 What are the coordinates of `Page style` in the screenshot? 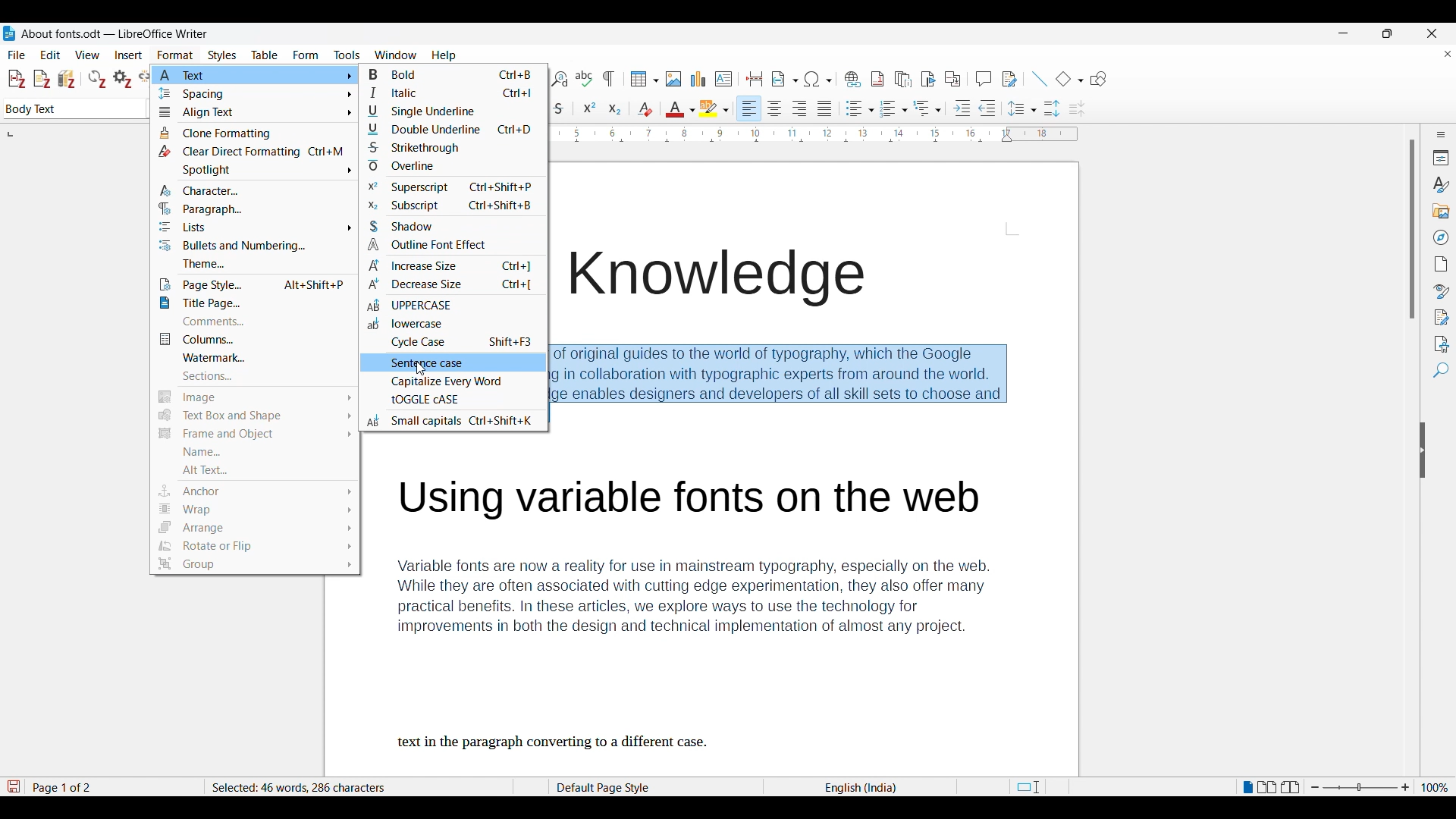 It's located at (627, 787).